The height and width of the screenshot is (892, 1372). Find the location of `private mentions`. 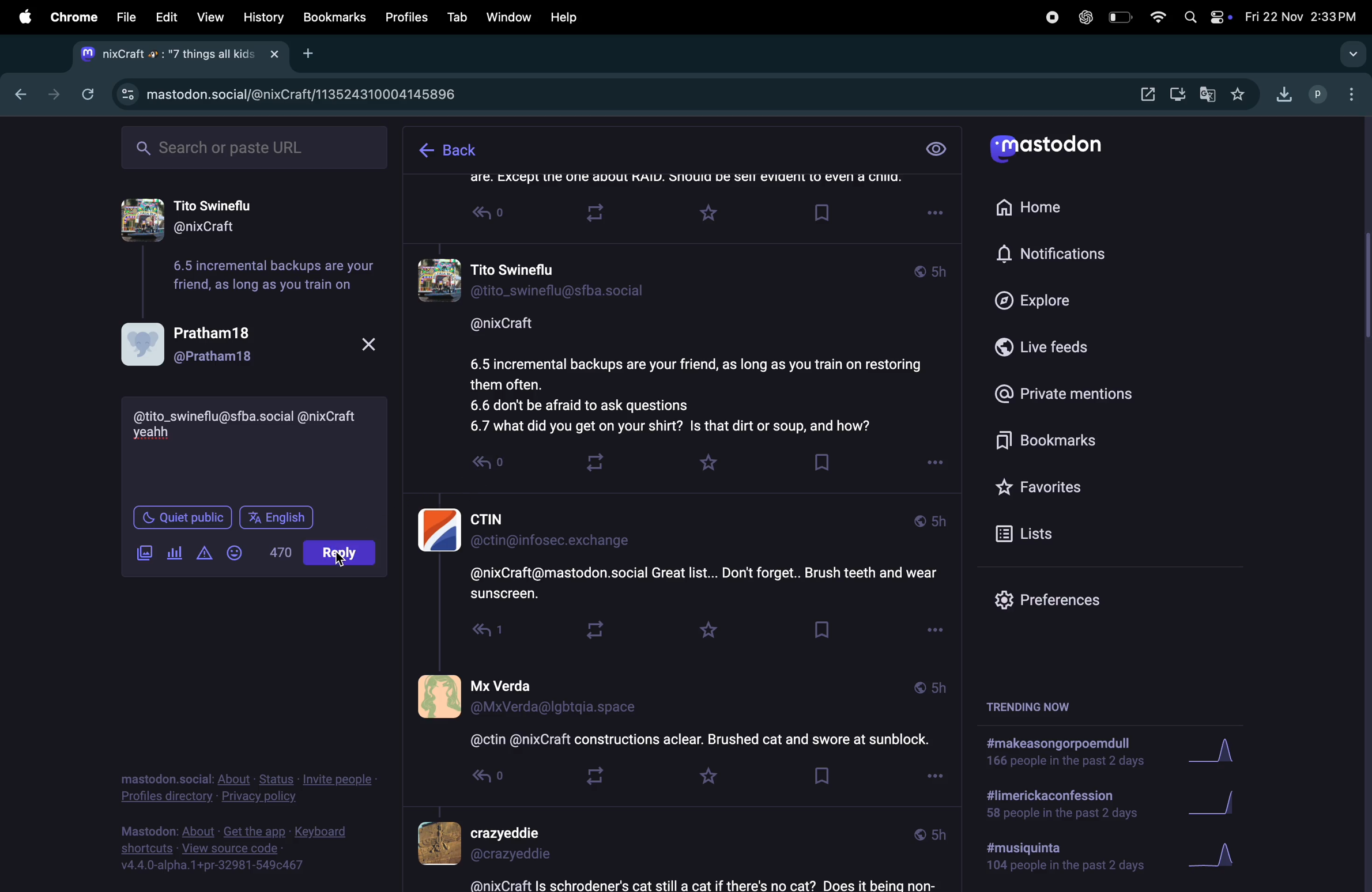

private mentions is located at coordinates (1077, 394).